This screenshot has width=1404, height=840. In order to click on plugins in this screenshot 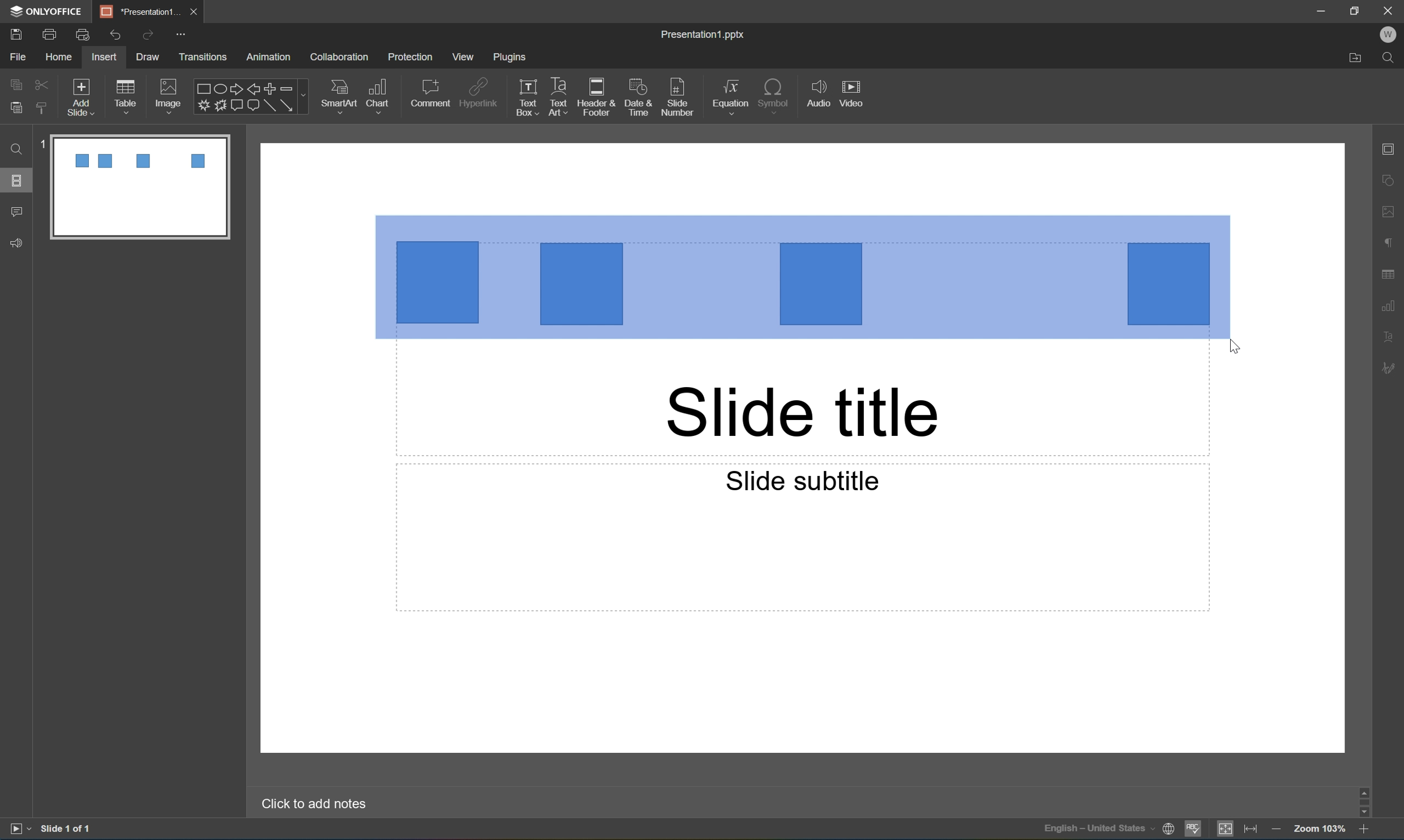, I will do `click(512, 58)`.